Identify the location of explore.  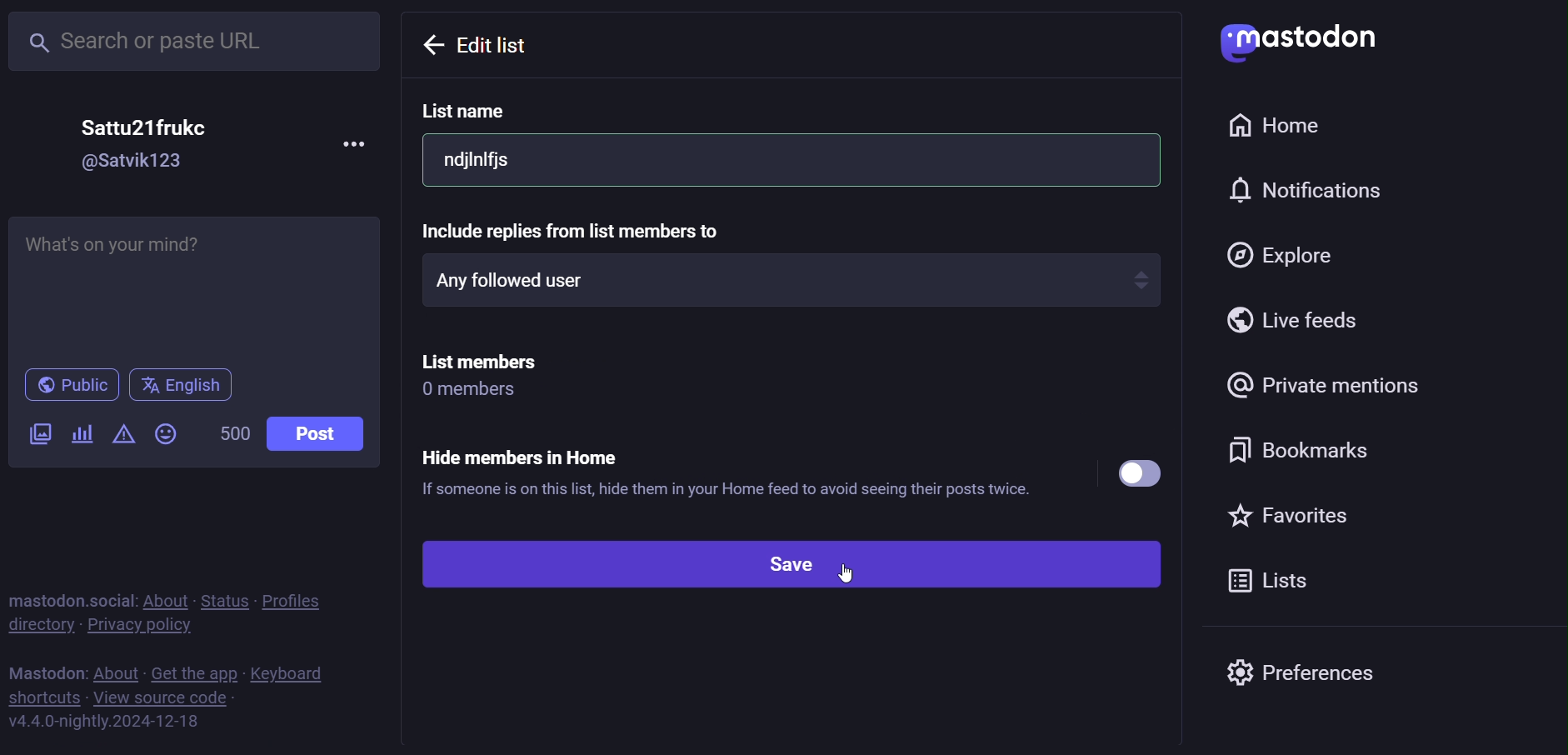
(1278, 254).